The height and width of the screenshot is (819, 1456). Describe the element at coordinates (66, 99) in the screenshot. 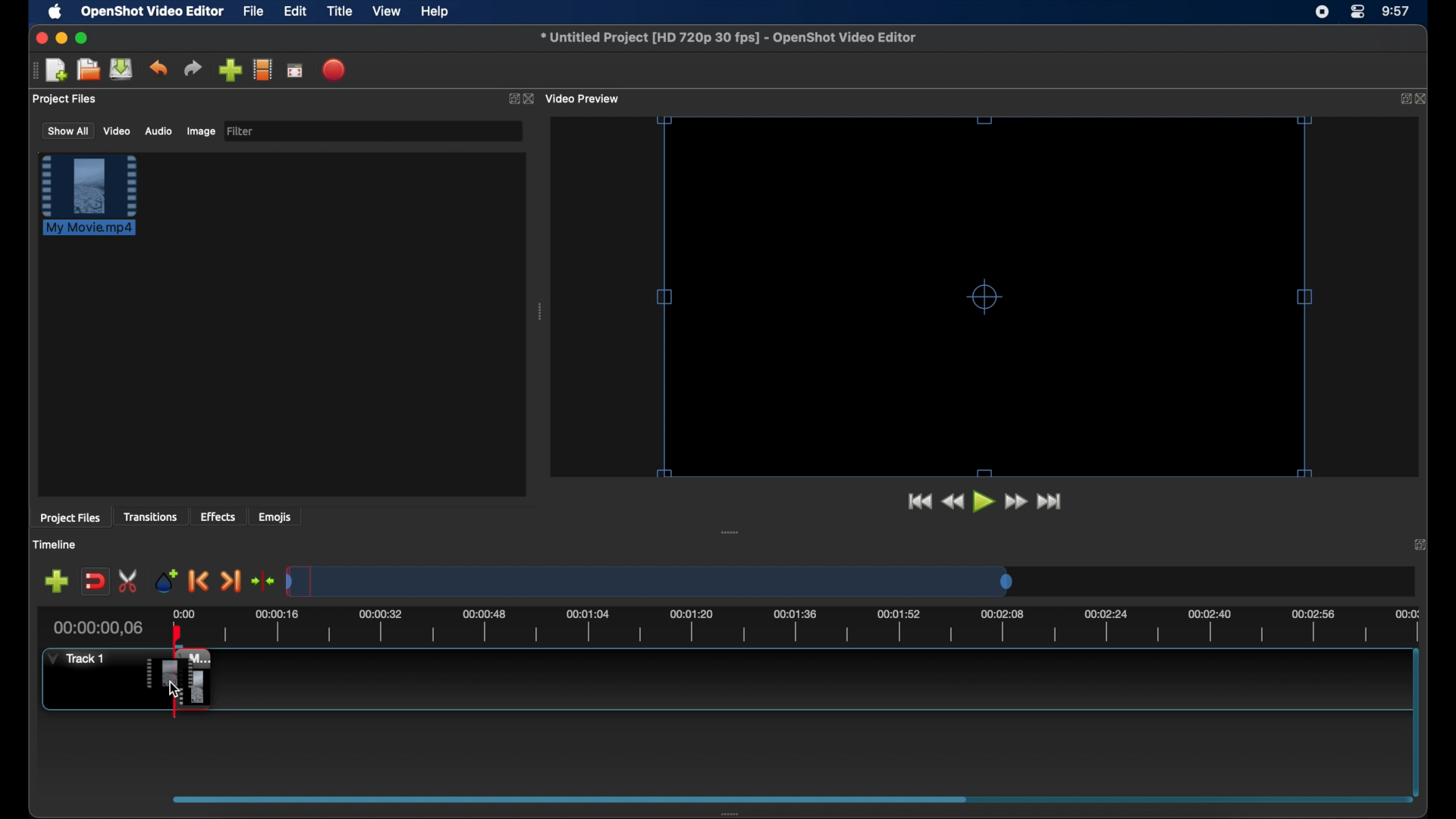

I see `project files` at that location.